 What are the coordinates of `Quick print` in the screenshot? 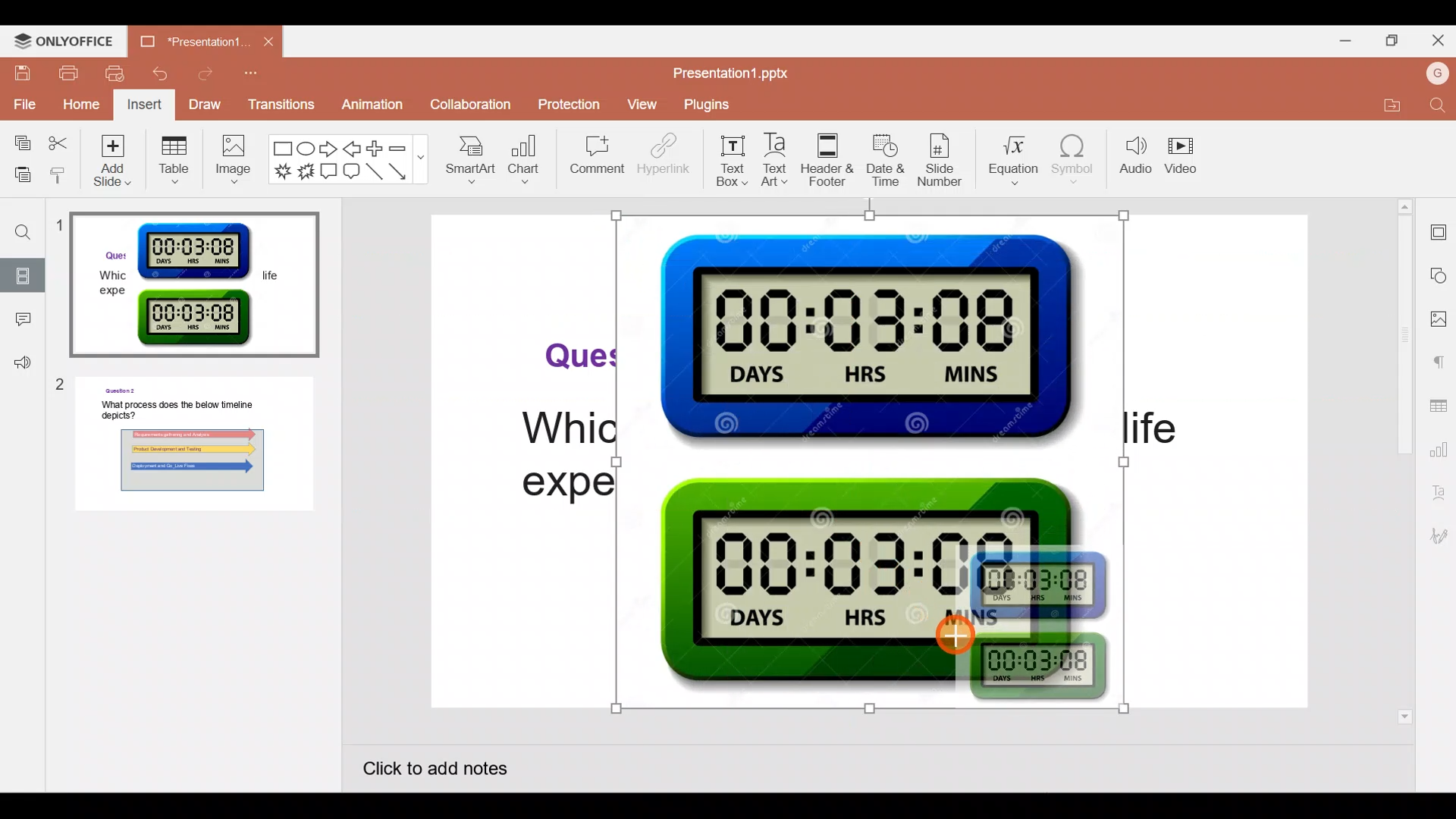 It's located at (118, 74).